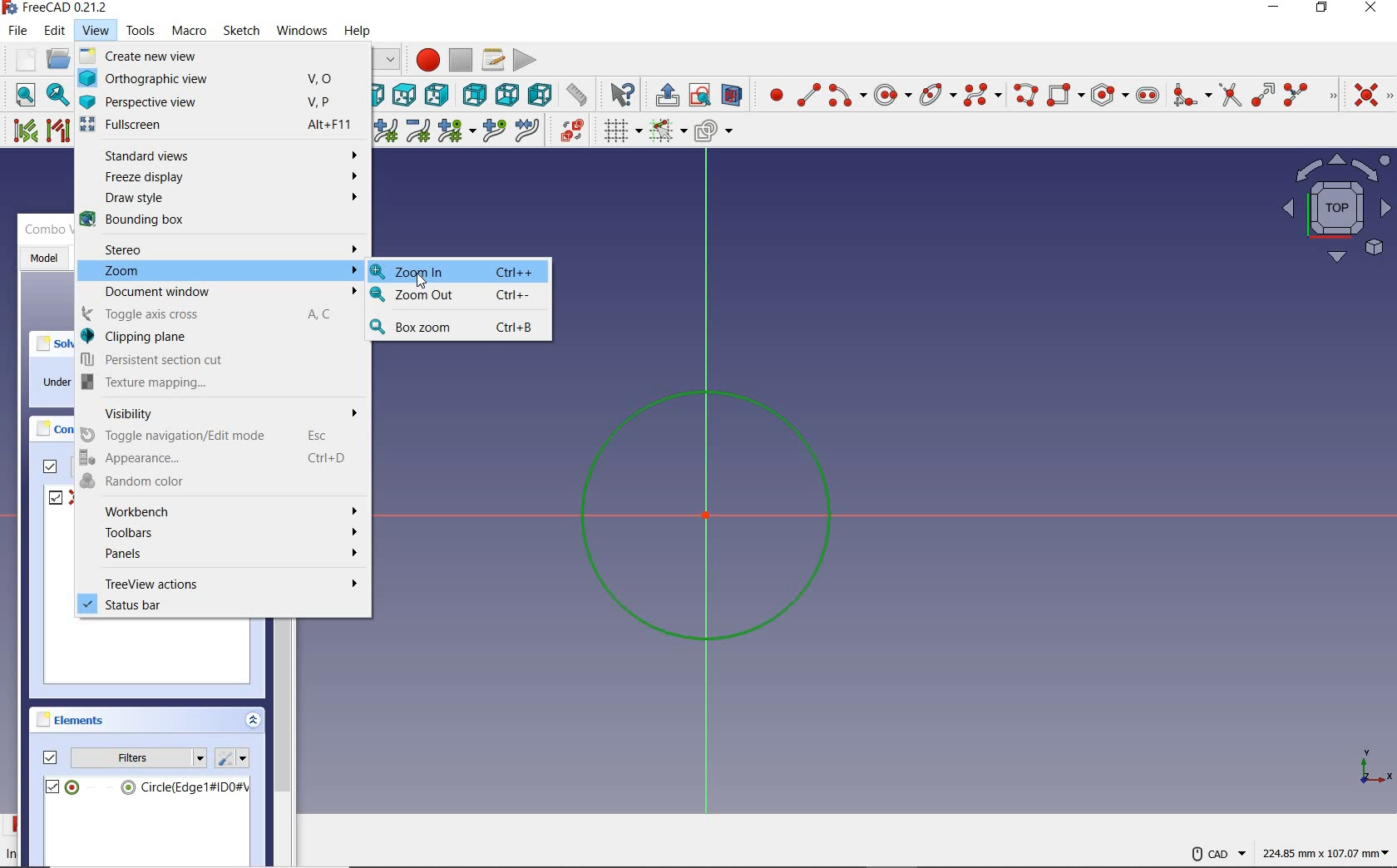  I want to click on fit all, so click(22, 95).